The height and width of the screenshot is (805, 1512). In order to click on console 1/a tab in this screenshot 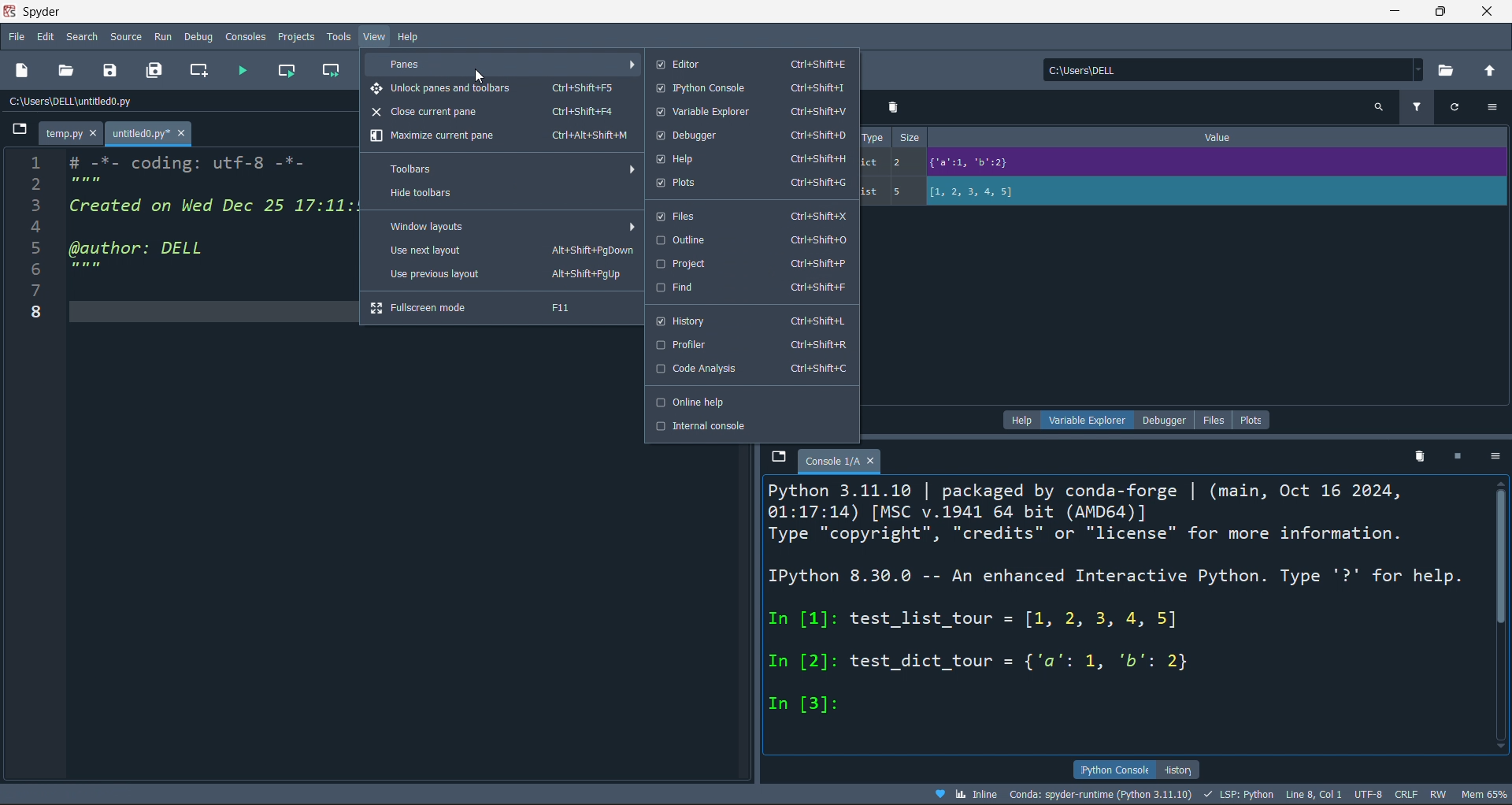, I will do `click(844, 459)`.